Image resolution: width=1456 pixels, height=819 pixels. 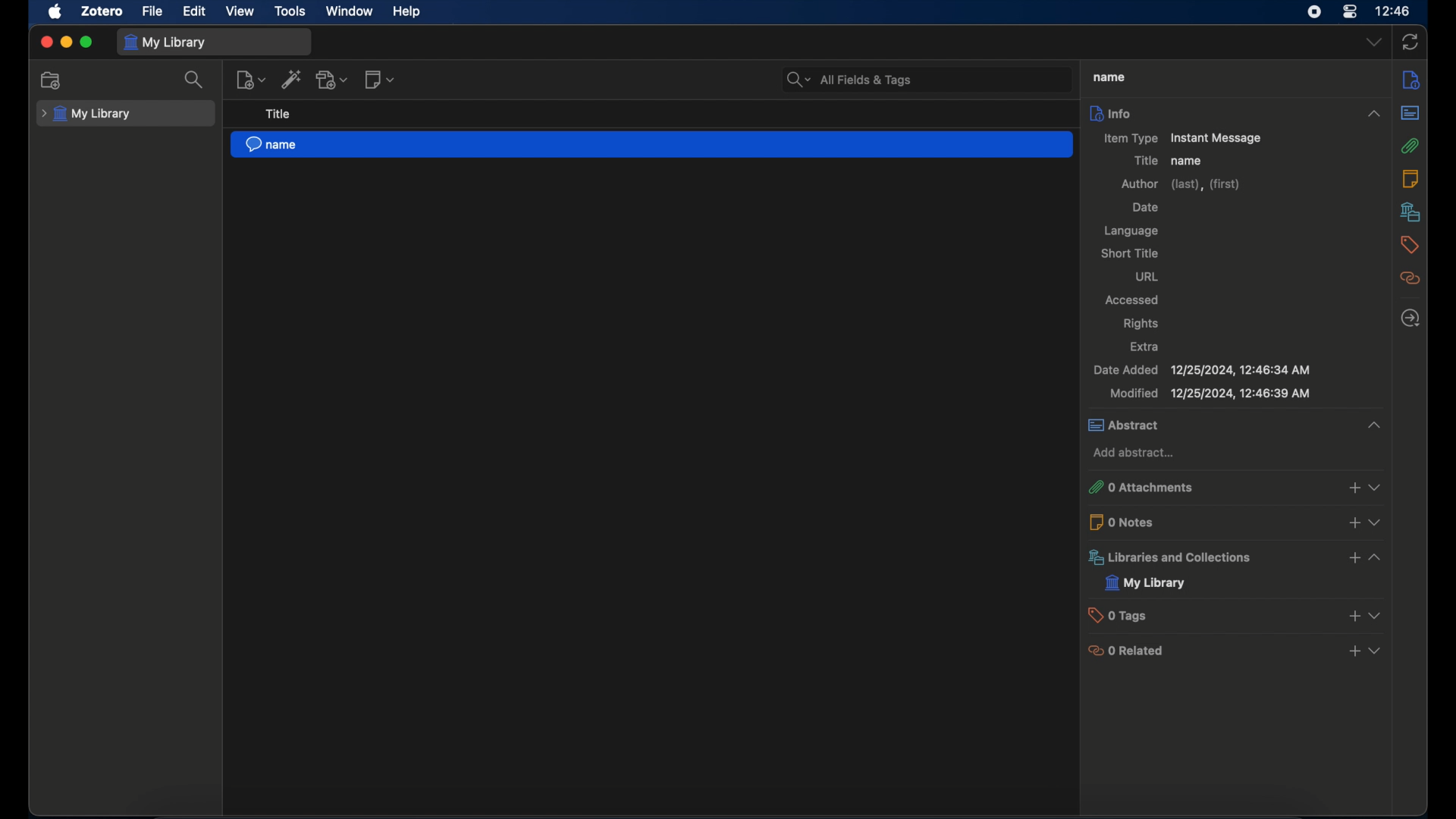 What do you see at coordinates (1232, 614) in the screenshot?
I see `0 tags` at bounding box center [1232, 614].